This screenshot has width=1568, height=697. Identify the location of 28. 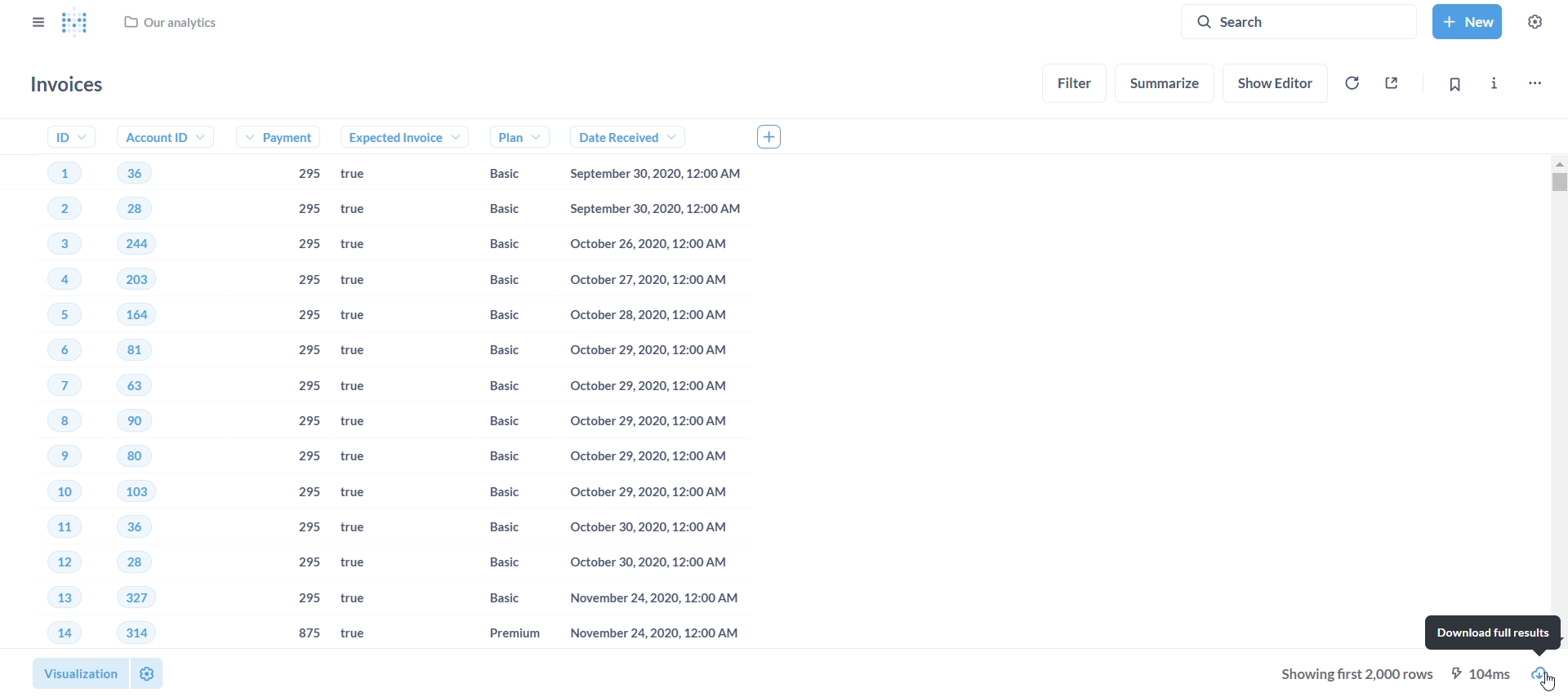
(126, 563).